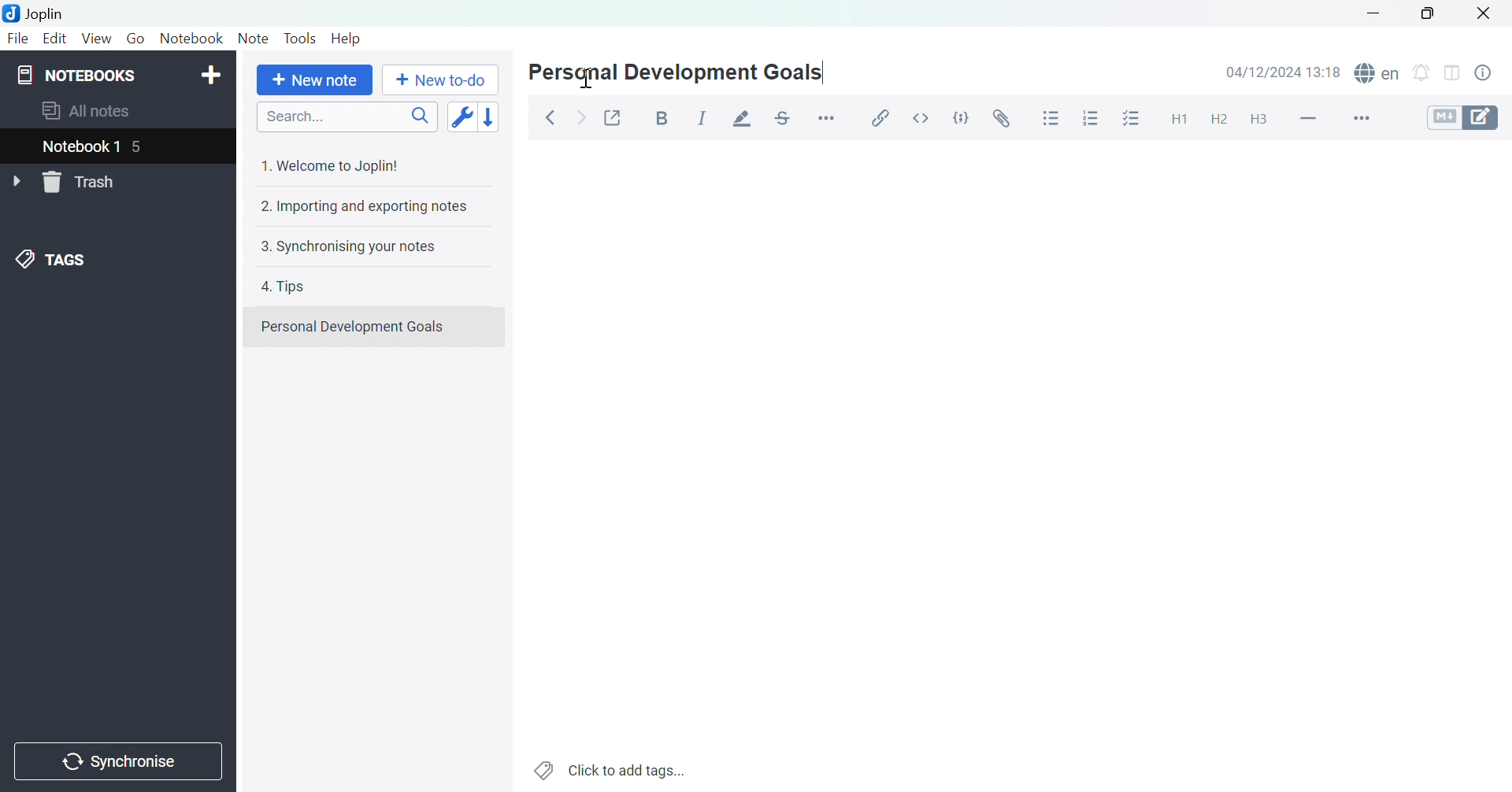 Image resolution: width=1512 pixels, height=792 pixels. Describe the element at coordinates (550, 117) in the screenshot. I see `Back` at that location.